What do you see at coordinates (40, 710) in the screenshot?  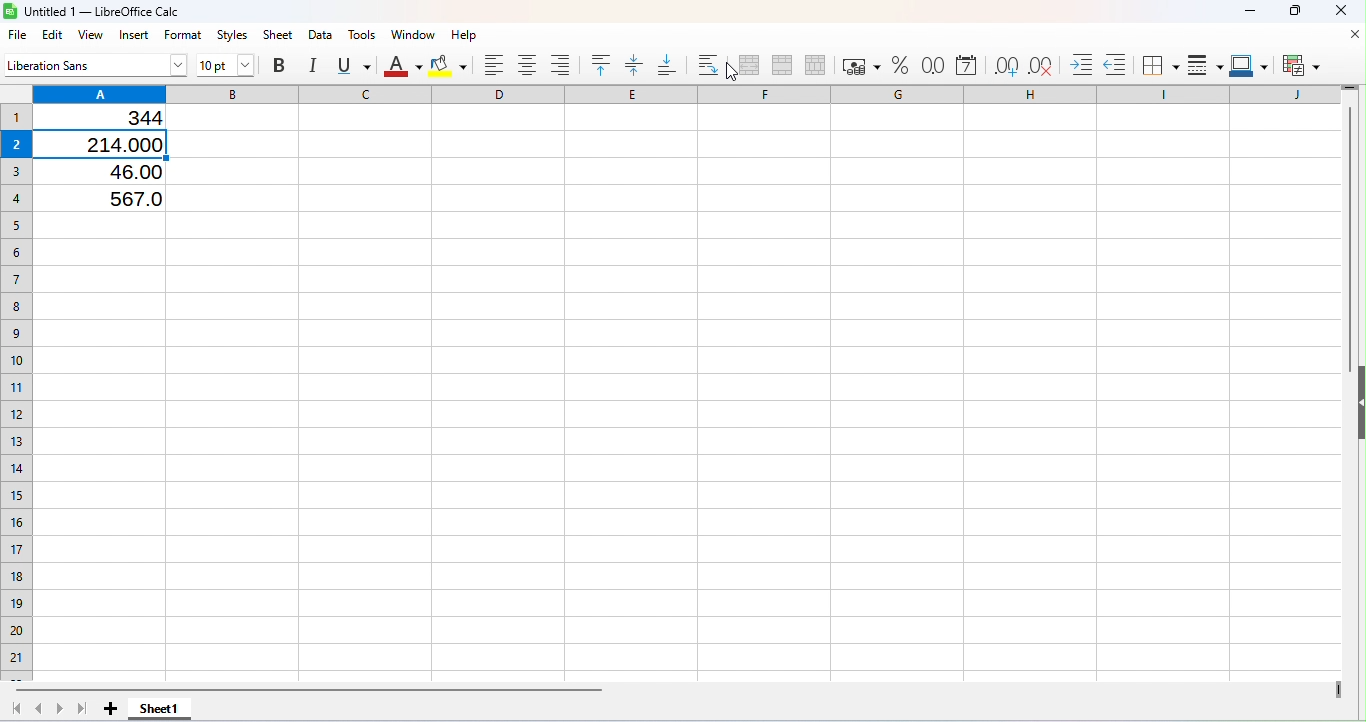 I see `Scroll to previous sheet` at bounding box center [40, 710].